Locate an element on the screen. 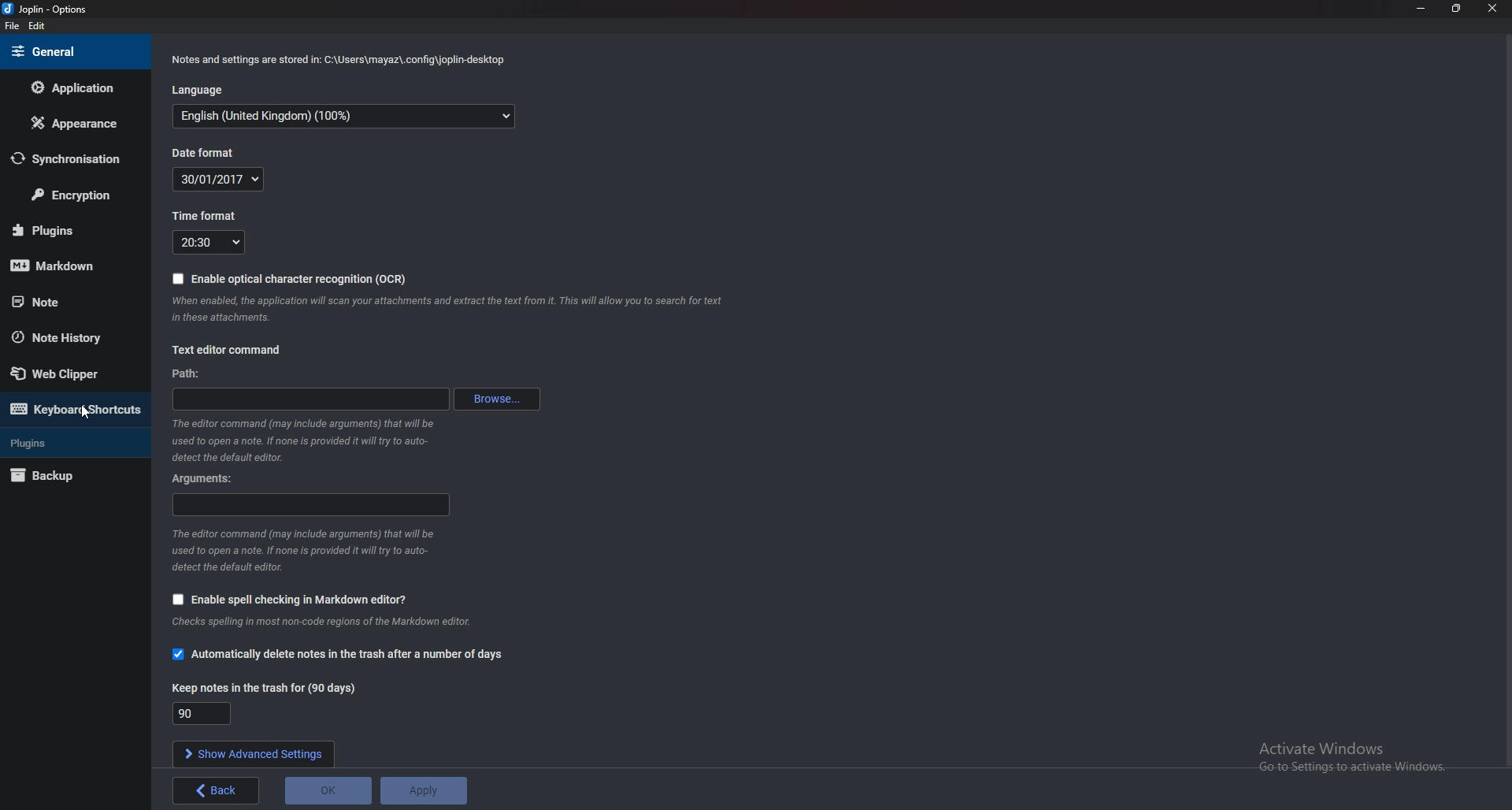 This screenshot has height=810, width=1512. Keep notes in the trash for is located at coordinates (202, 712).